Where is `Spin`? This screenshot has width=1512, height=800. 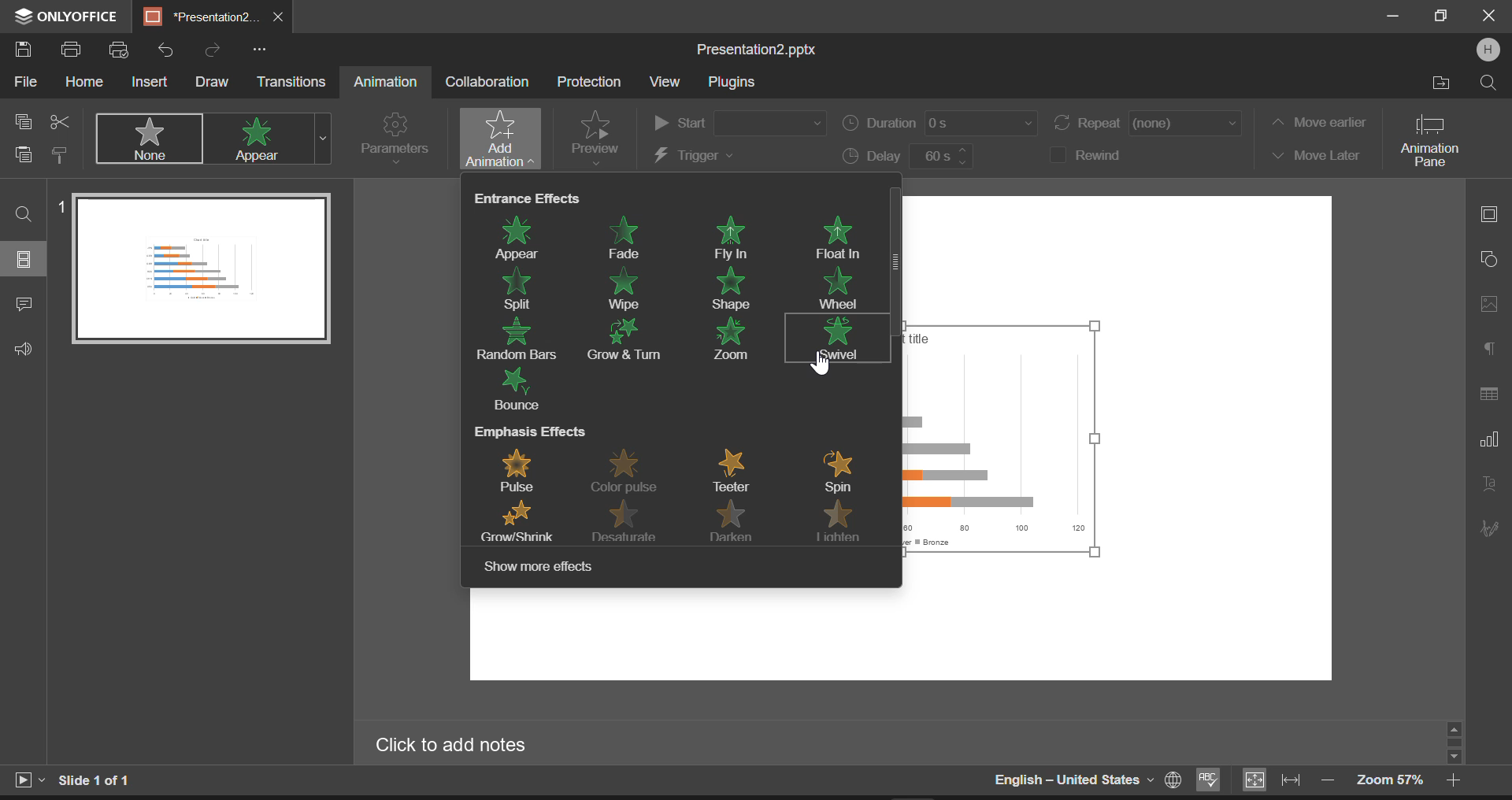 Spin is located at coordinates (838, 472).